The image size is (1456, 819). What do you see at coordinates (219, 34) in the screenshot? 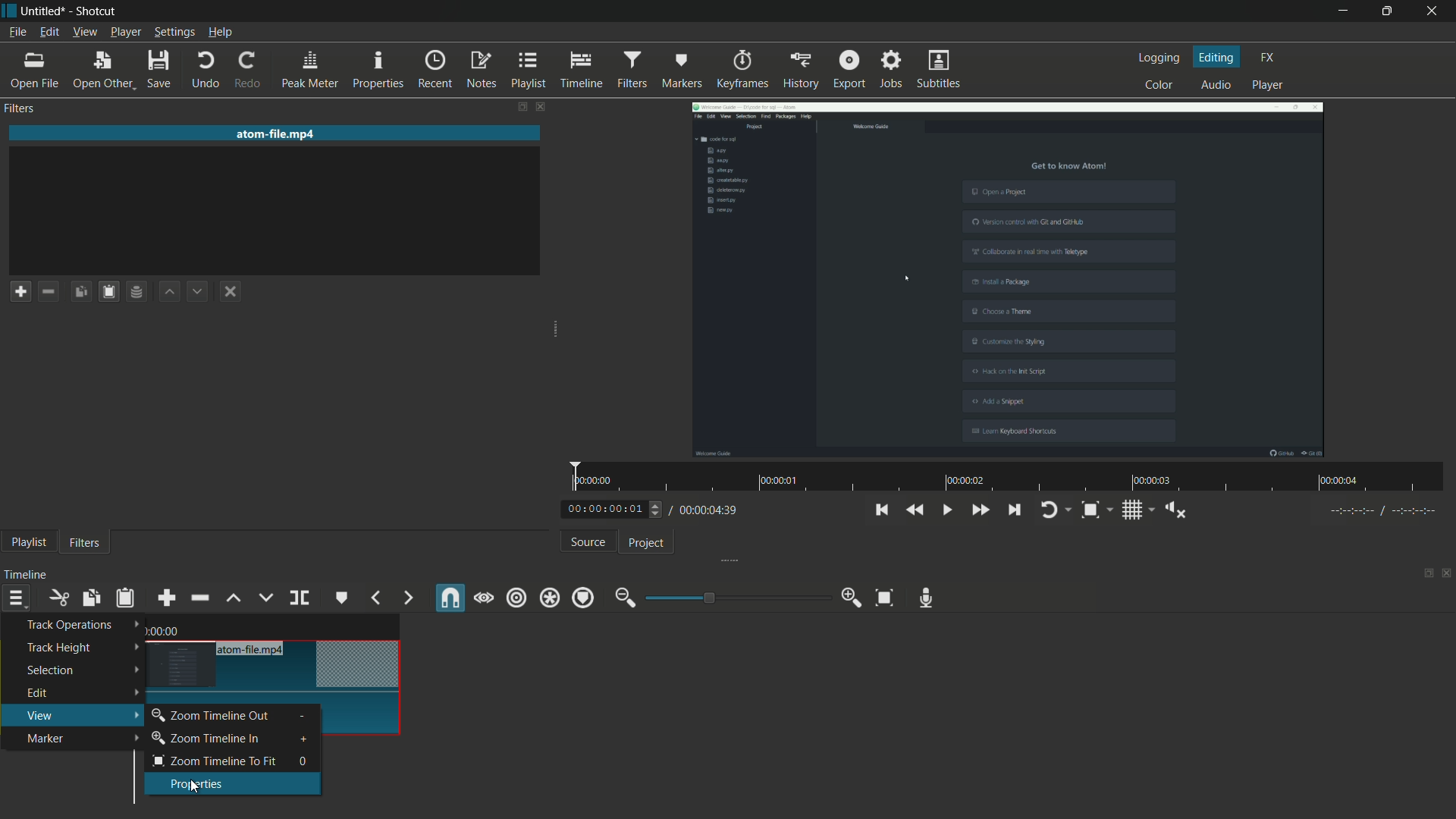
I see `help menu` at bounding box center [219, 34].